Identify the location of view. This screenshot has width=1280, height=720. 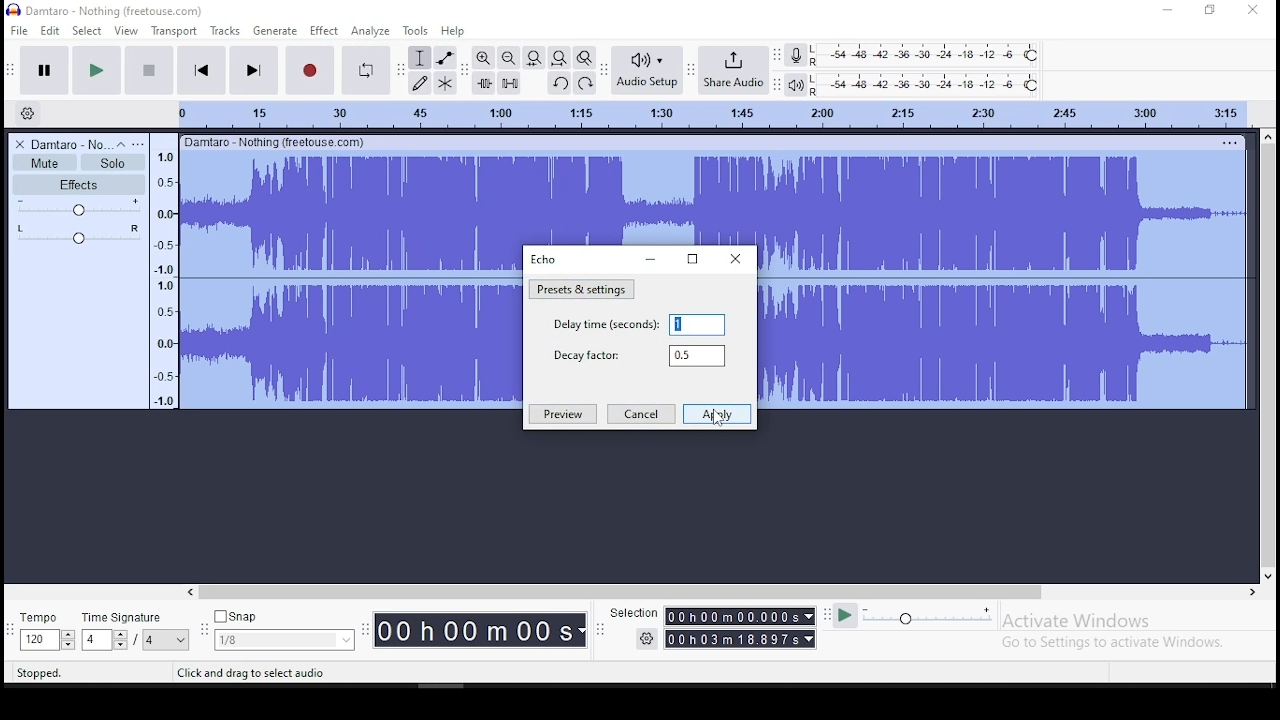
(126, 30).